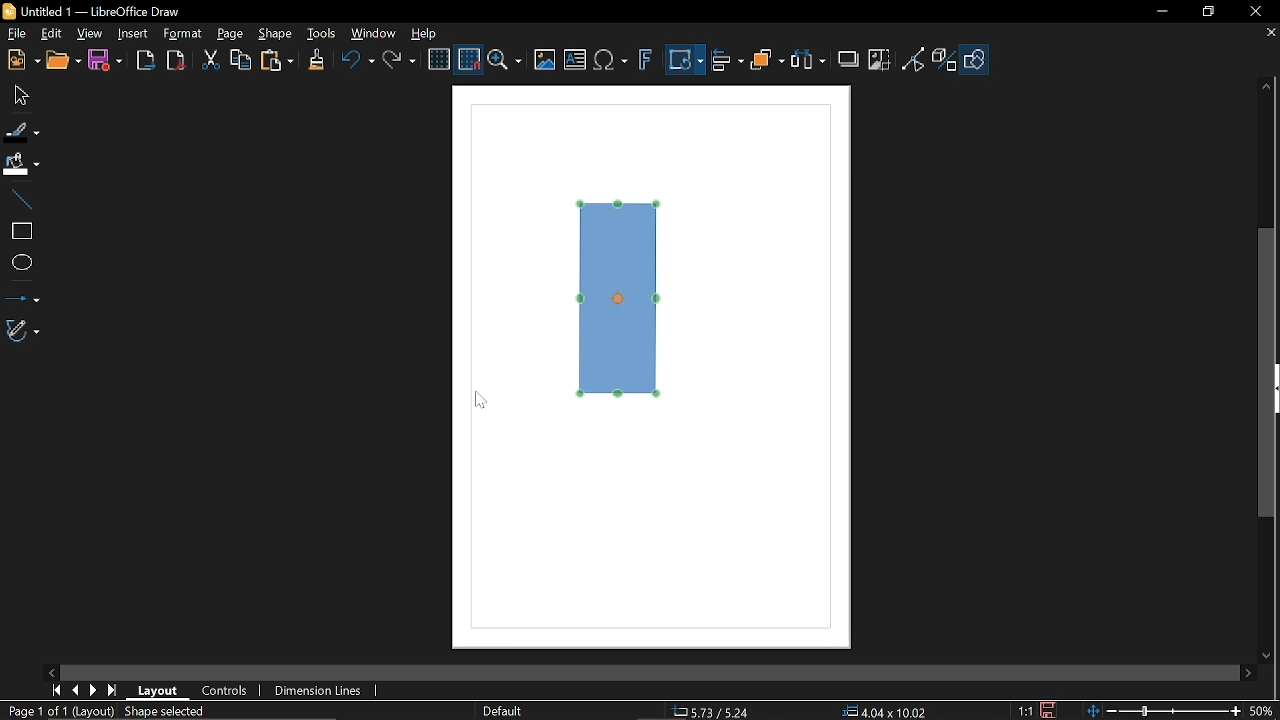  What do you see at coordinates (808, 61) in the screenshot?
I see `Selelct t least three objects to distribute` at bounding box center [808, 61].